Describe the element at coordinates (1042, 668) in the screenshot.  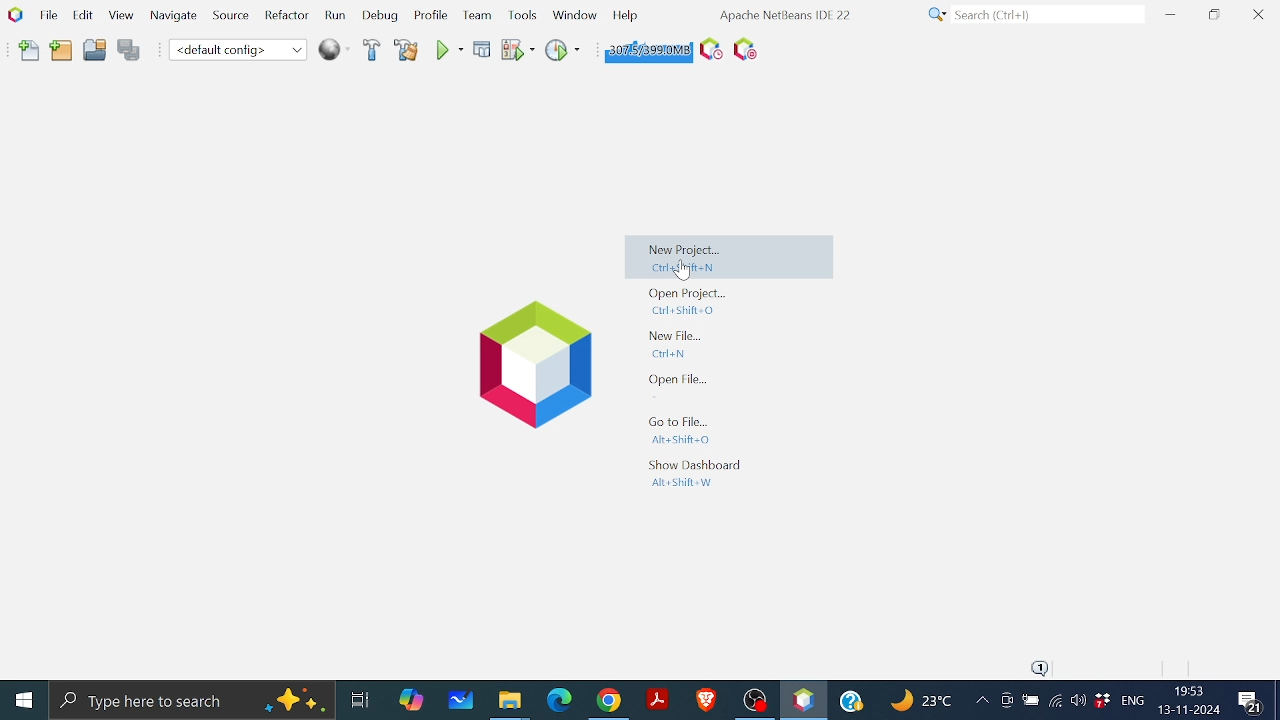
I see `notifications` at that location.